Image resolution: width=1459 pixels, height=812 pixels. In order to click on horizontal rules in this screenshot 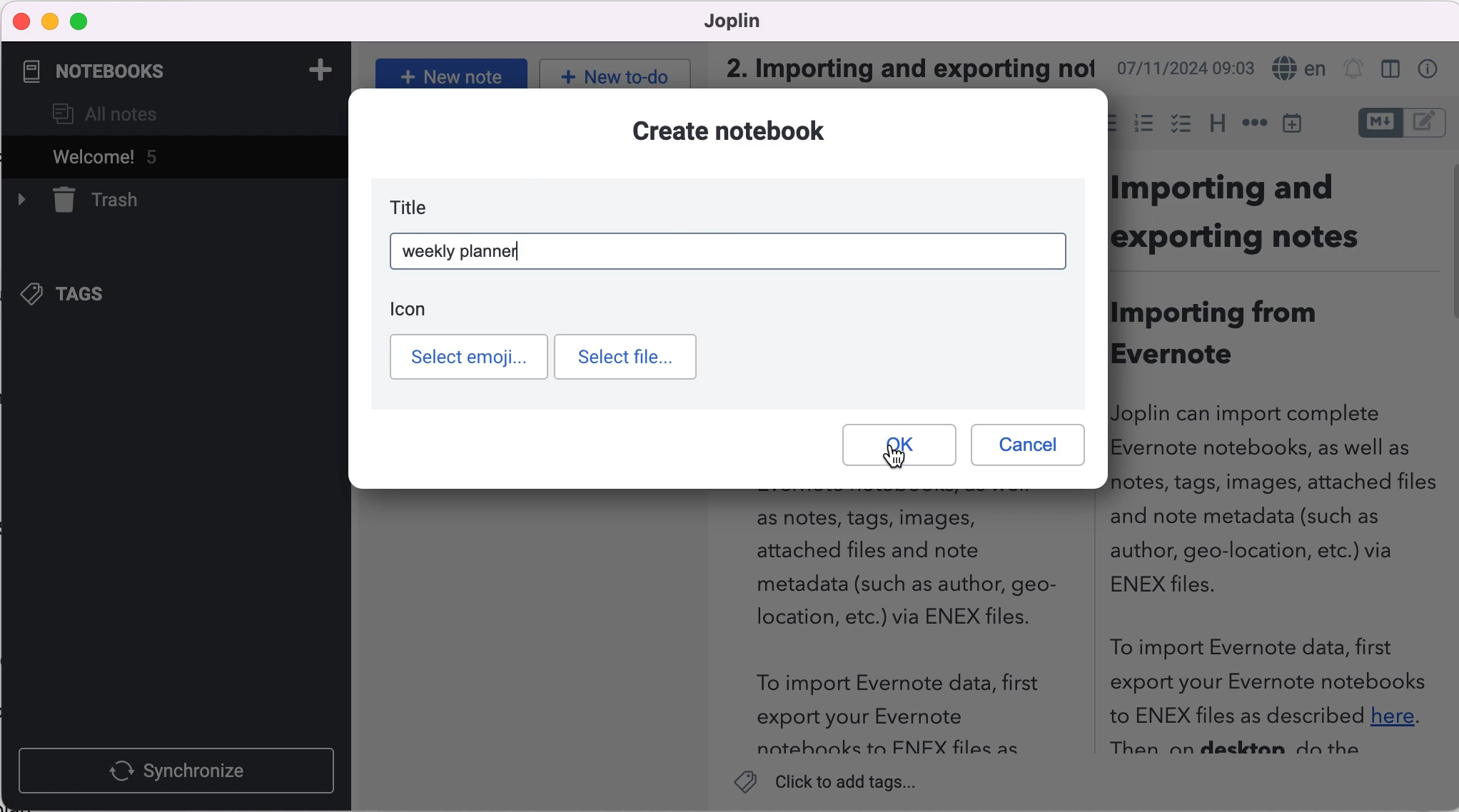, I will do `click(1252, 124)`.